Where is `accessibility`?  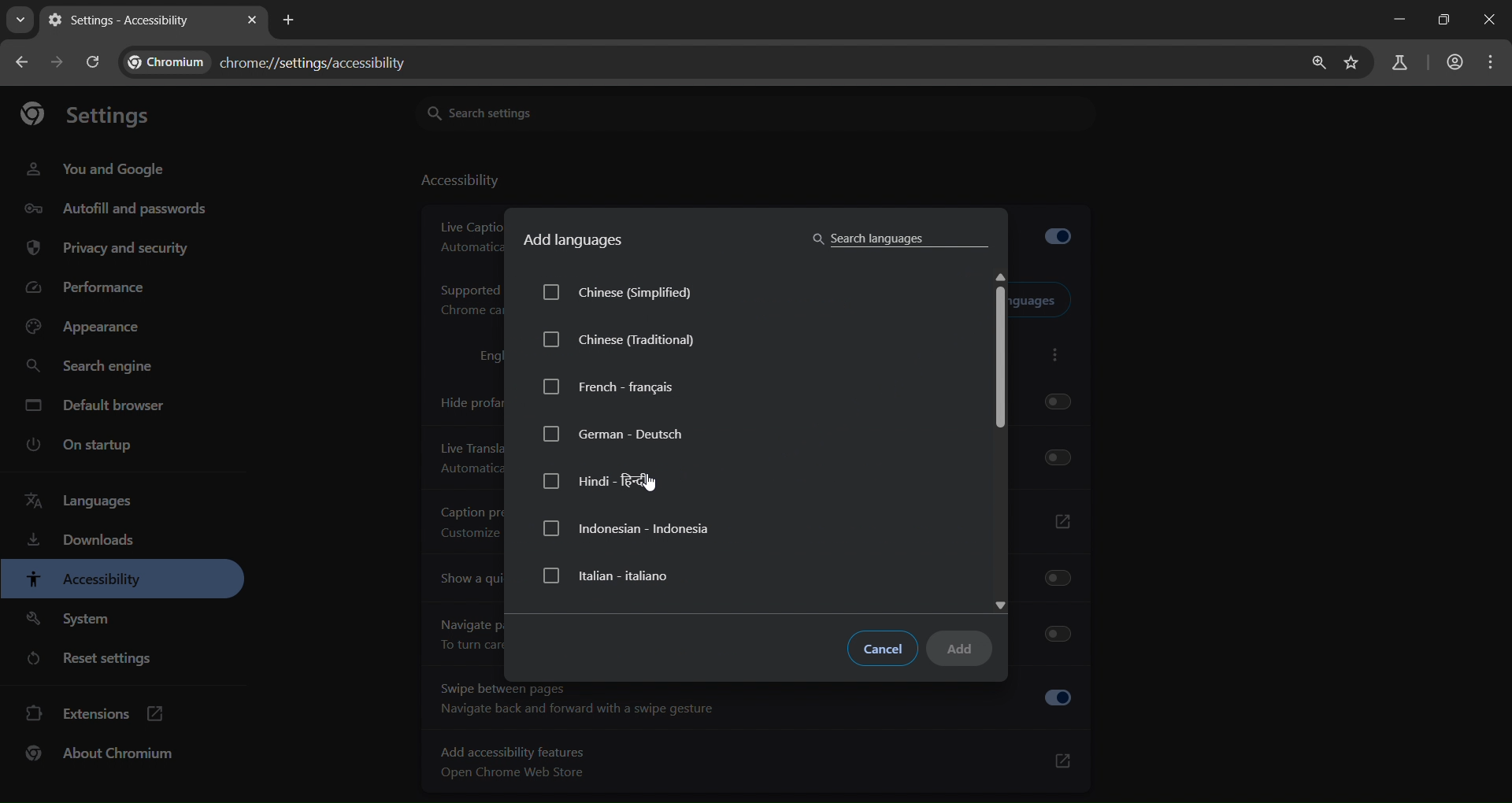 accessibility is located at coordinates (459, 183).